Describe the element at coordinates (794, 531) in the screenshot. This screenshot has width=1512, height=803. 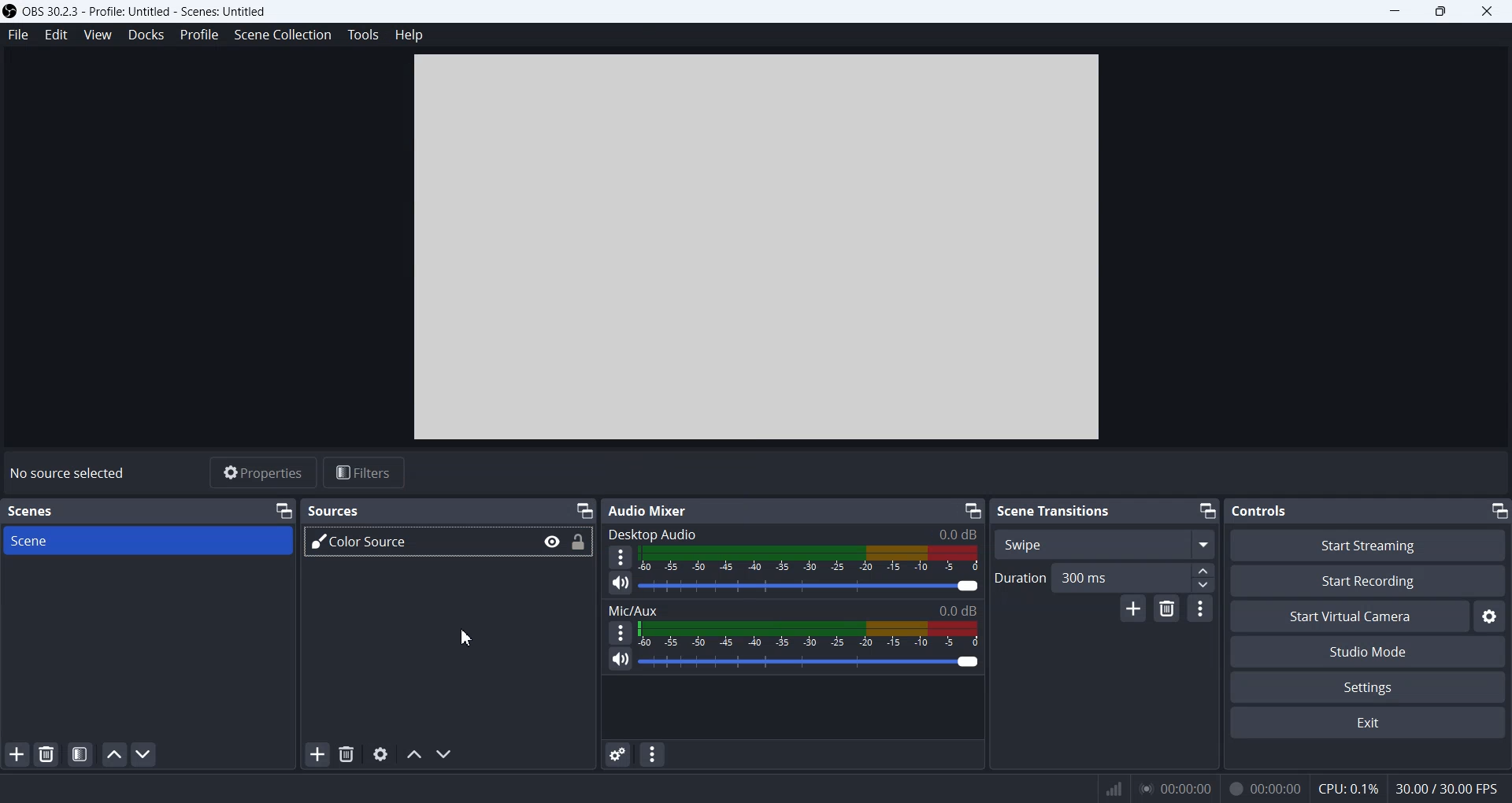
I see `Desktop Audio 0.0 dB` at that location.